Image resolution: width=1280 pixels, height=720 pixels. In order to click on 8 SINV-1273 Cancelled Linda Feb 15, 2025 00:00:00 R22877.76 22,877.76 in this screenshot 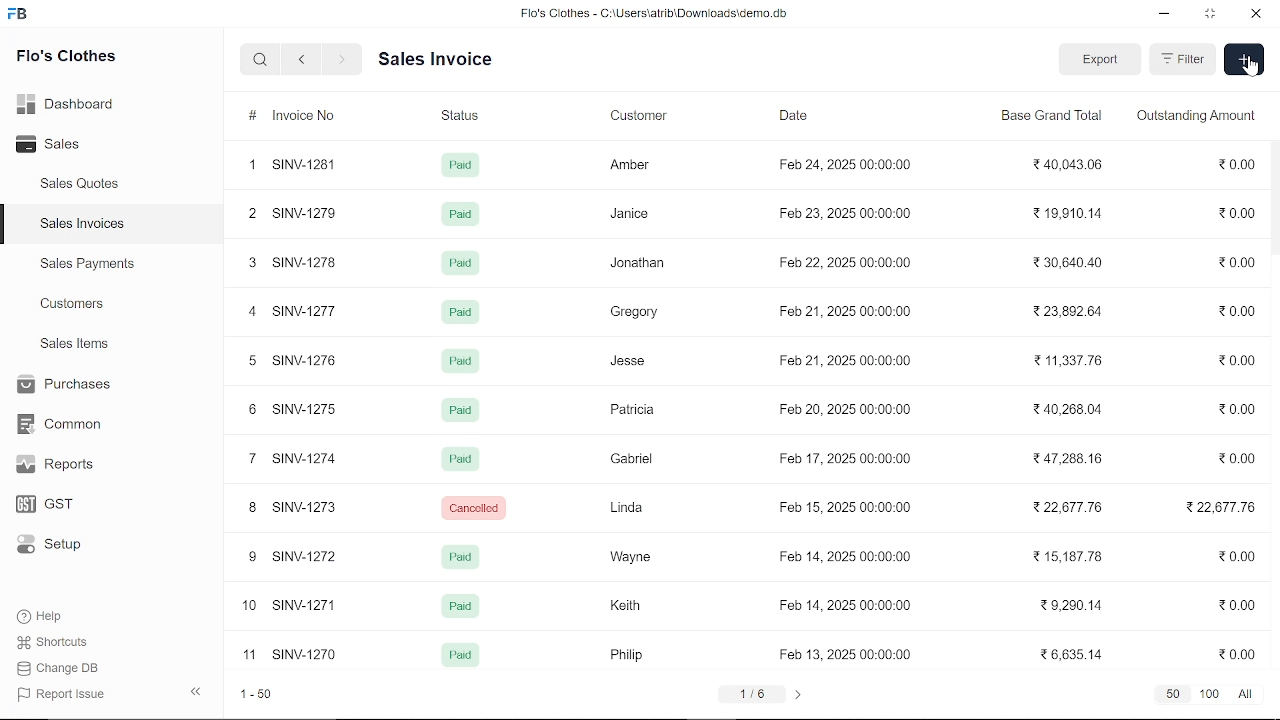, I will do `click(754, 509)`.